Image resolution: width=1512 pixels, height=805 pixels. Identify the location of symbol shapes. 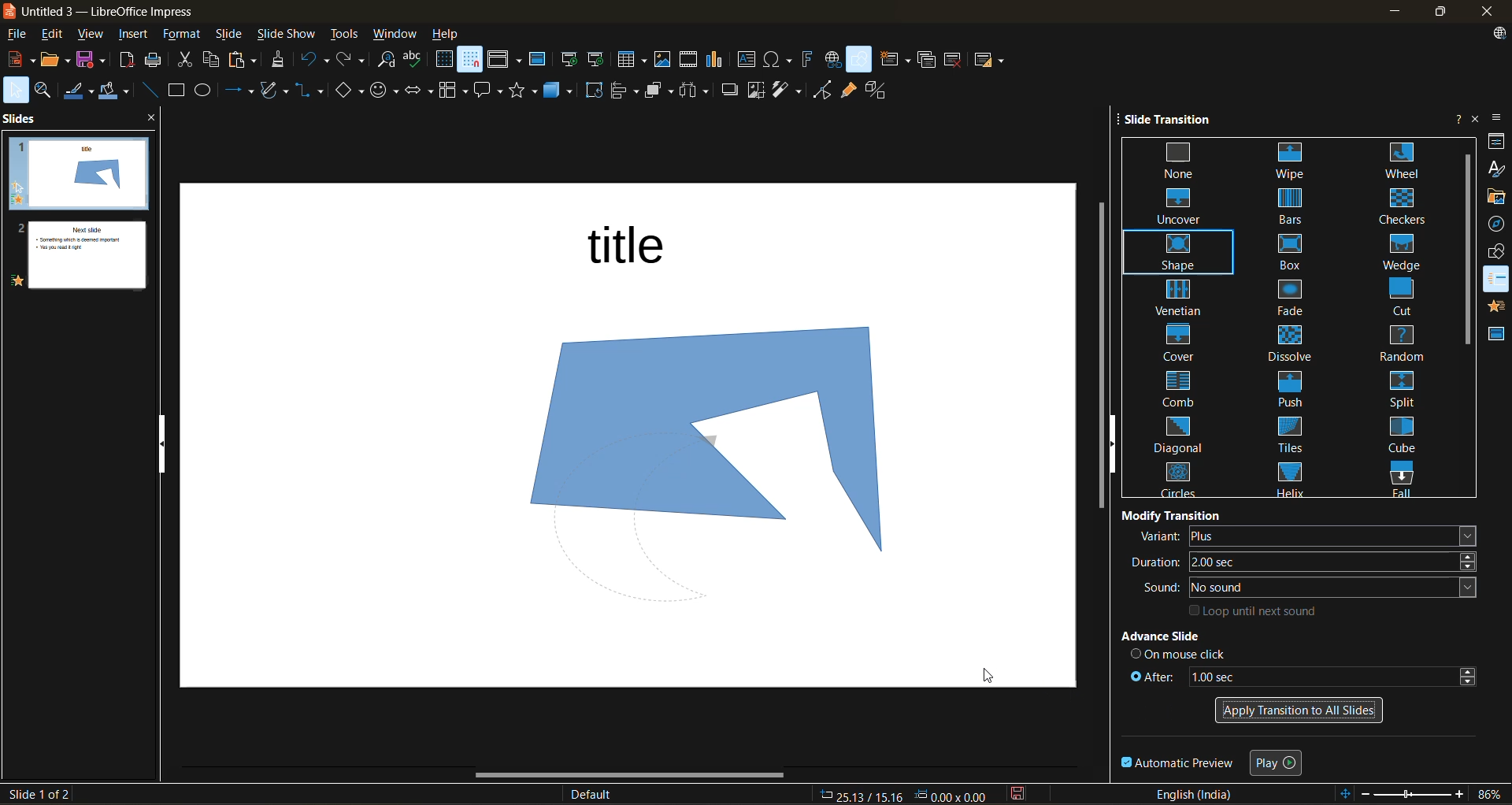
(386, 89).